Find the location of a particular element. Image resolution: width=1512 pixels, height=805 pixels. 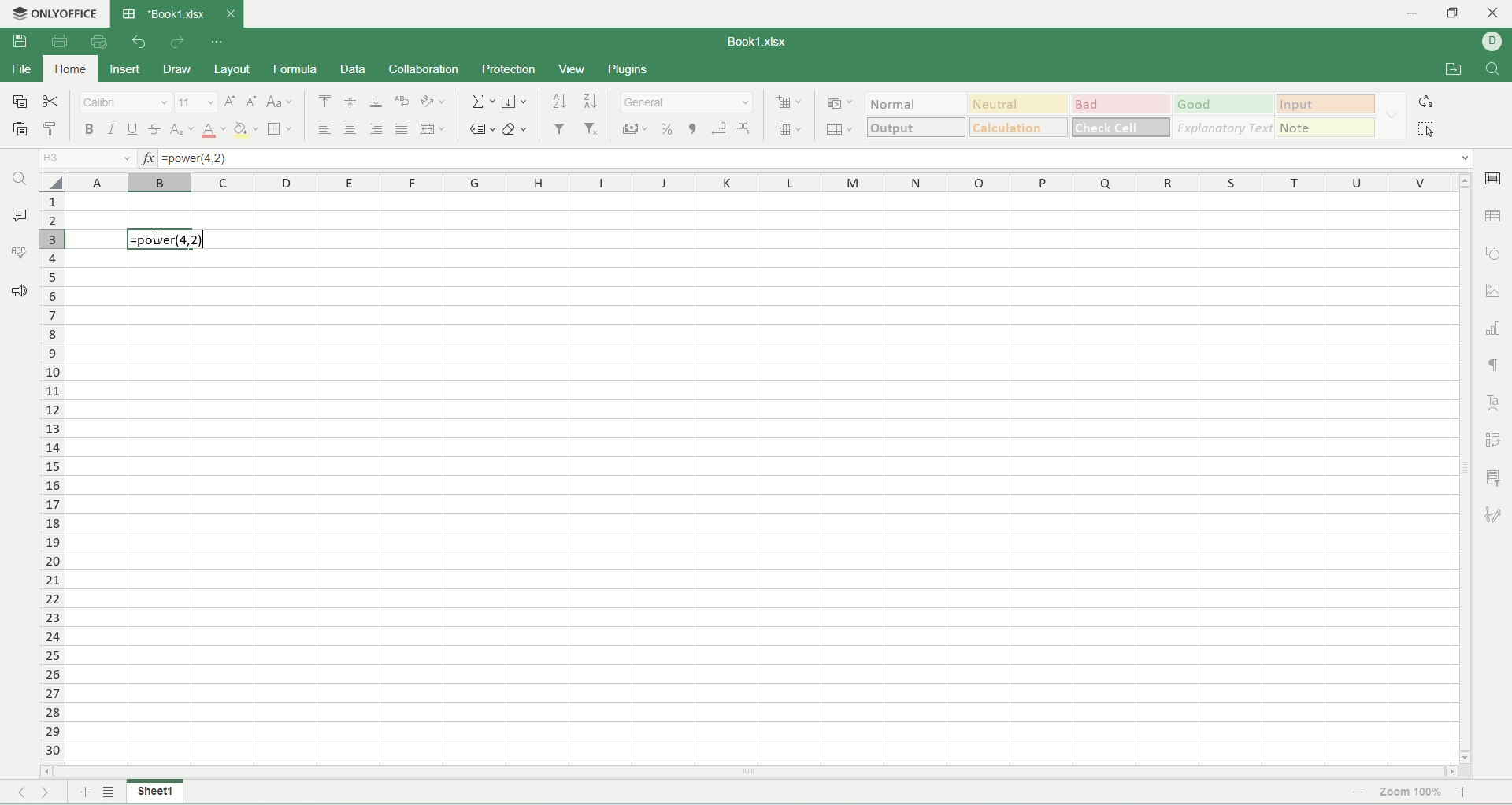

summation is located at coordinates (481, 101).